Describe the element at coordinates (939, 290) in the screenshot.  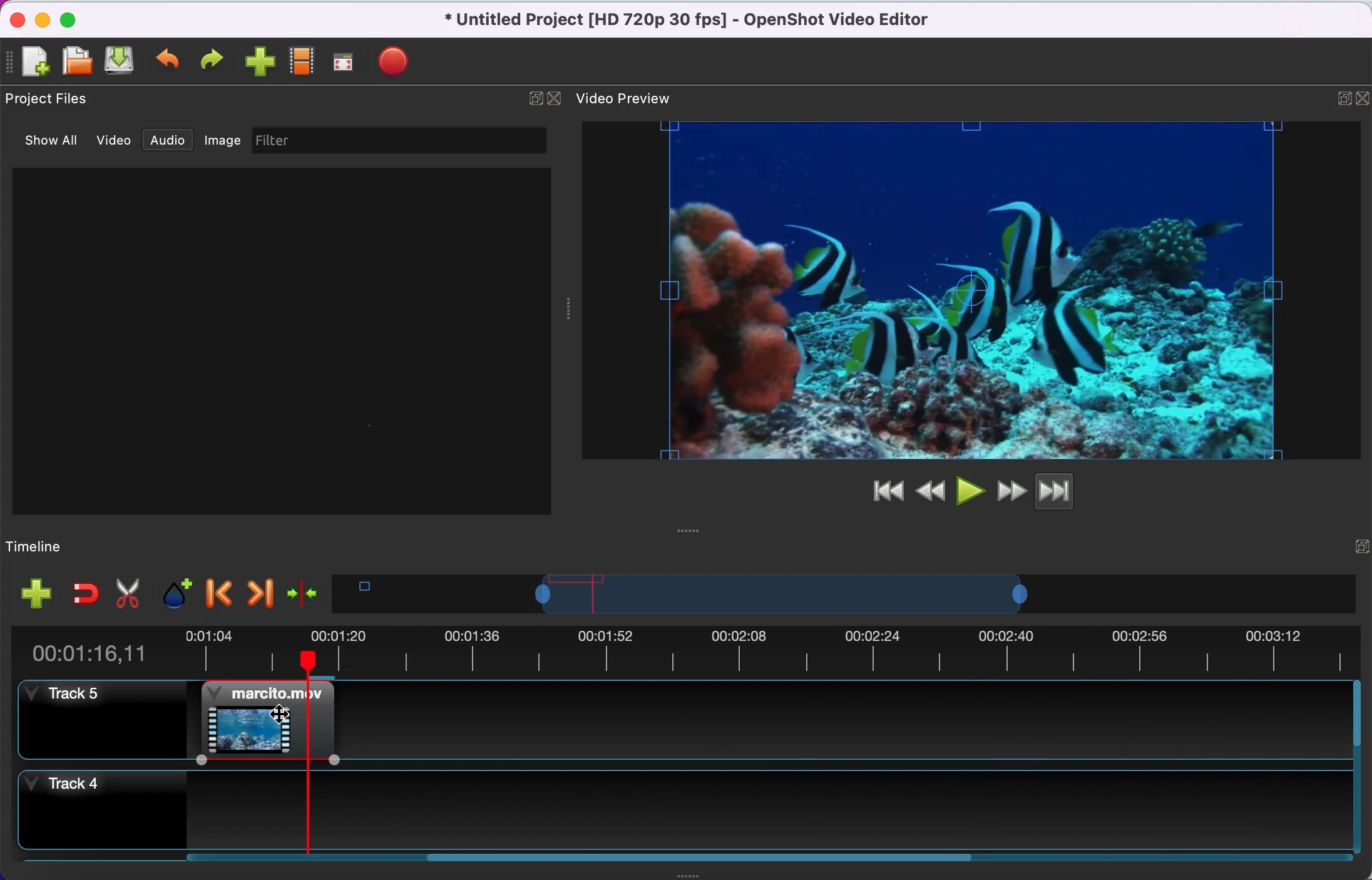
I see `video preview` at that location.